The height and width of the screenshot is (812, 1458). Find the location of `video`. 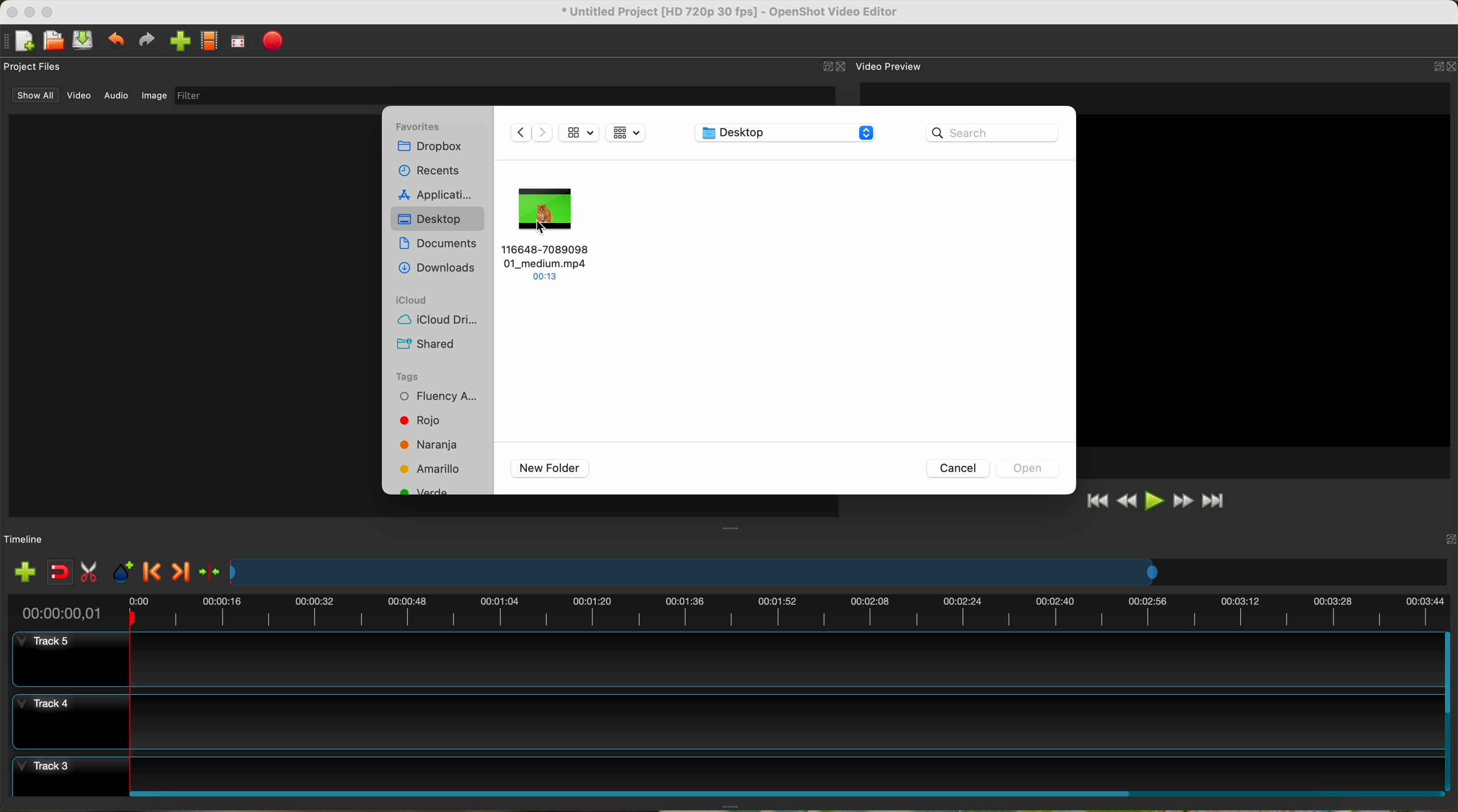

video is located at coordinates (80, 96).